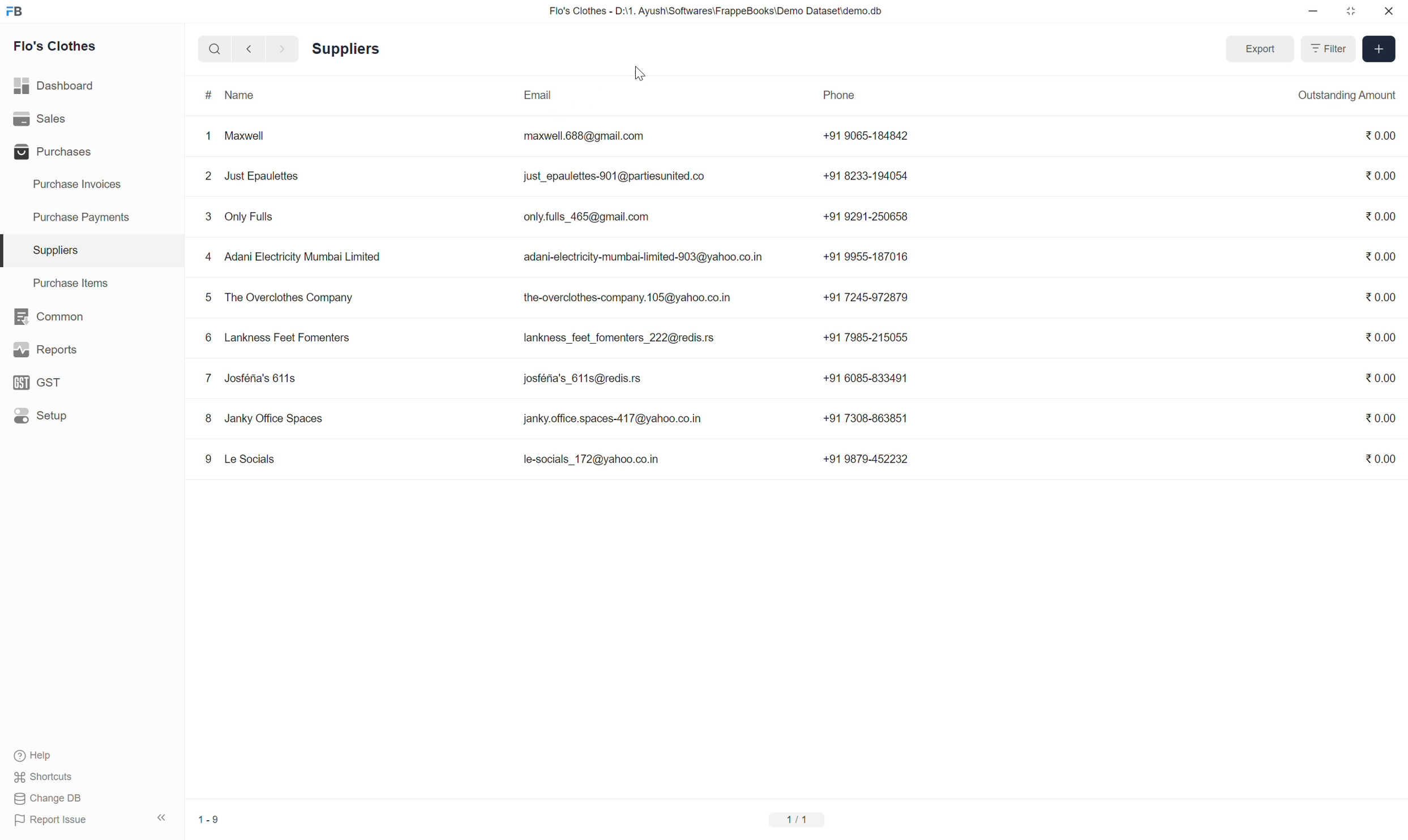  I want to click on +91 7985-215055, so click(870, 337).